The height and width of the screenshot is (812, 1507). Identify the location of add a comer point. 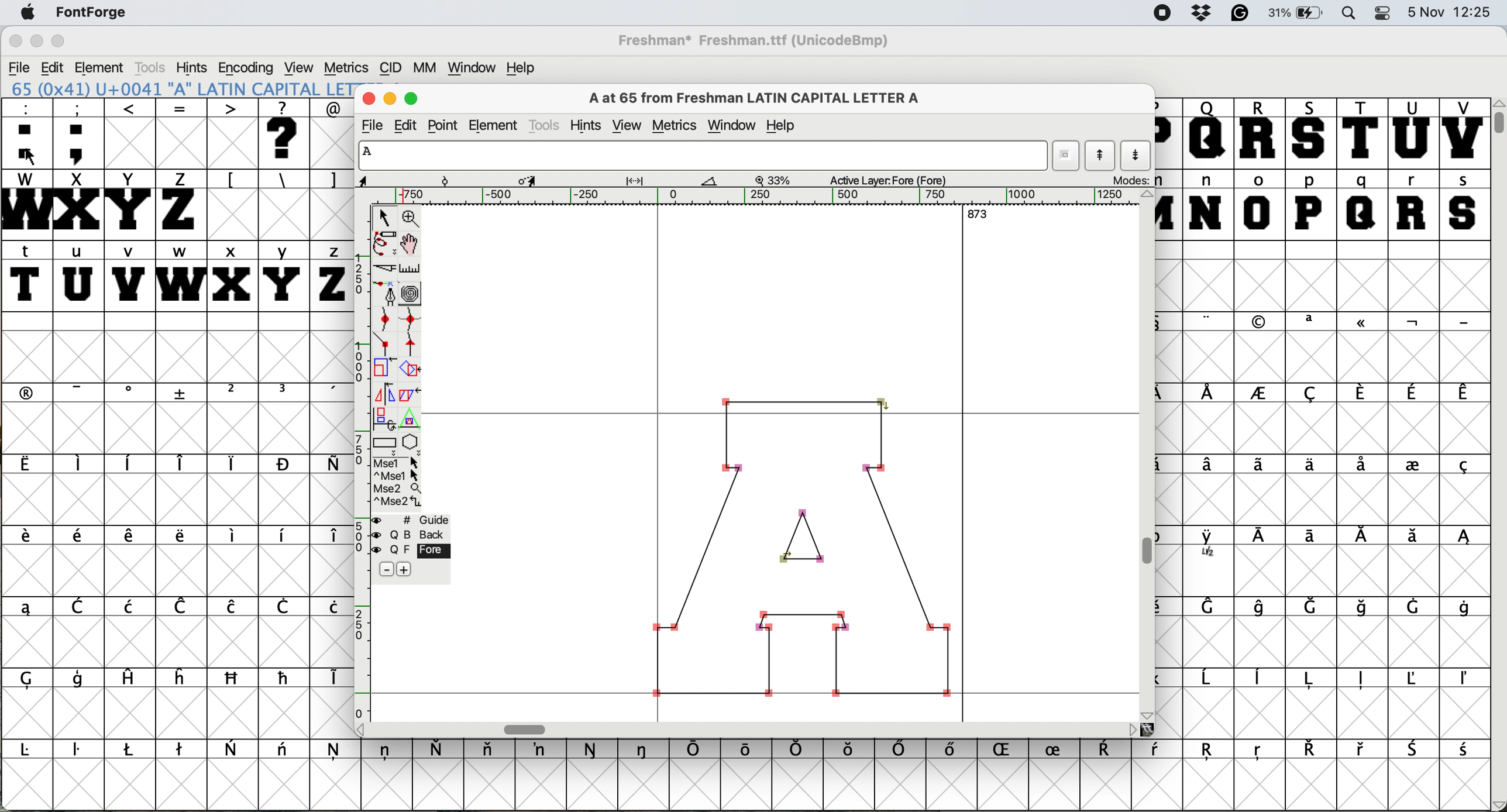
(383, 343).